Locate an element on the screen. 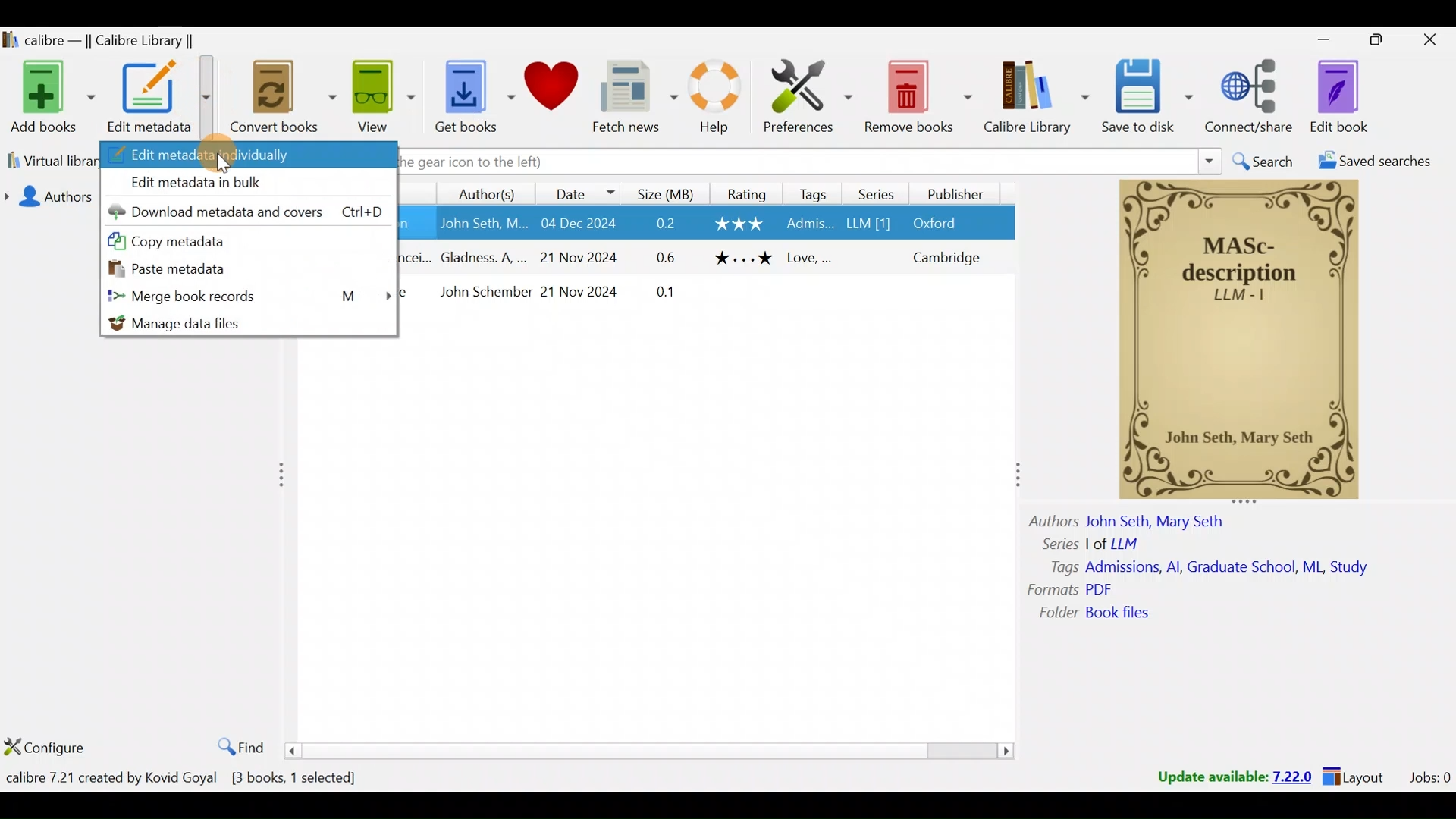   is located at coordinates (946, 223).